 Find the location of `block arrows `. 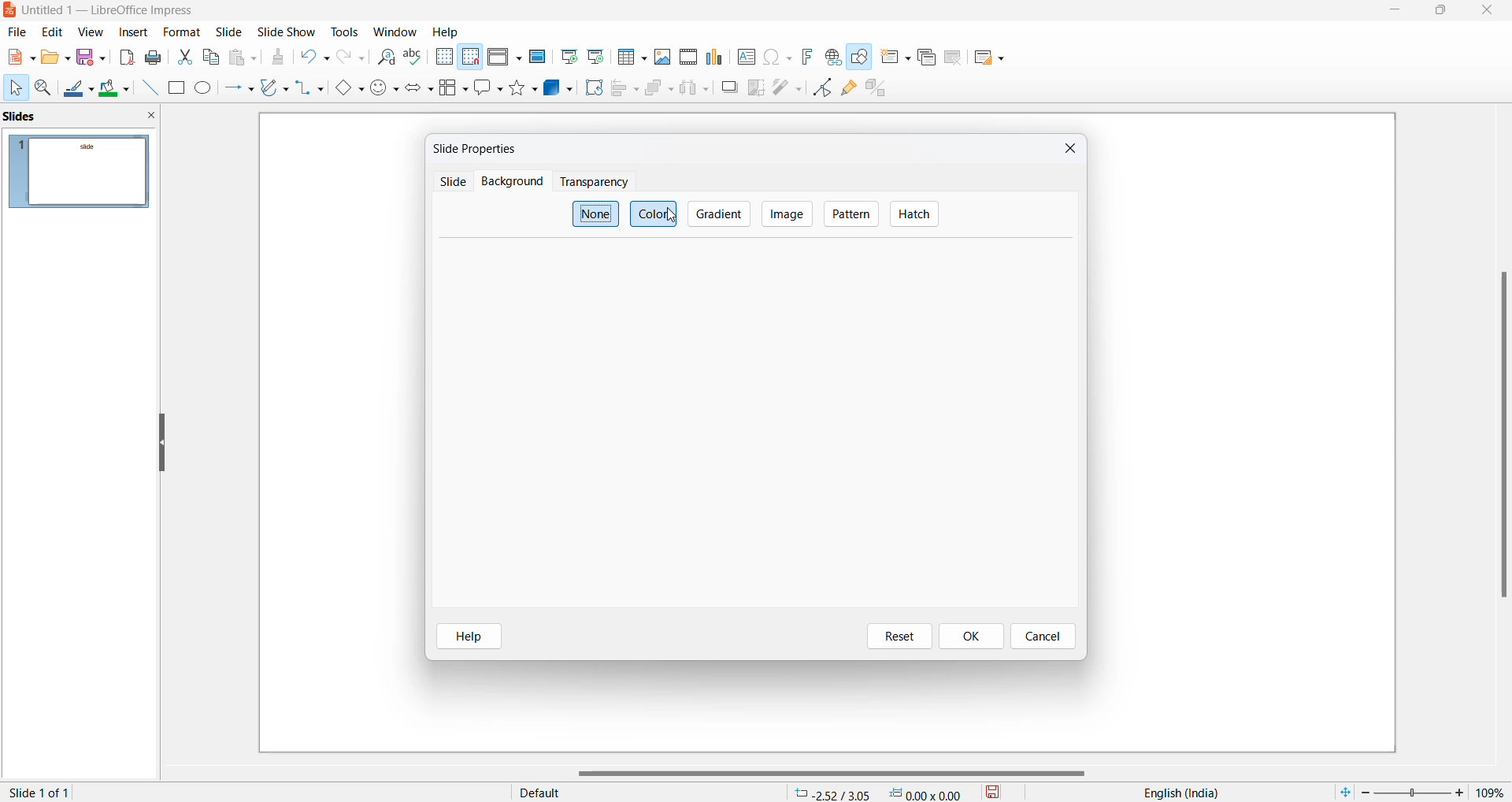

block arrows  is located at coordinates (421, 89).